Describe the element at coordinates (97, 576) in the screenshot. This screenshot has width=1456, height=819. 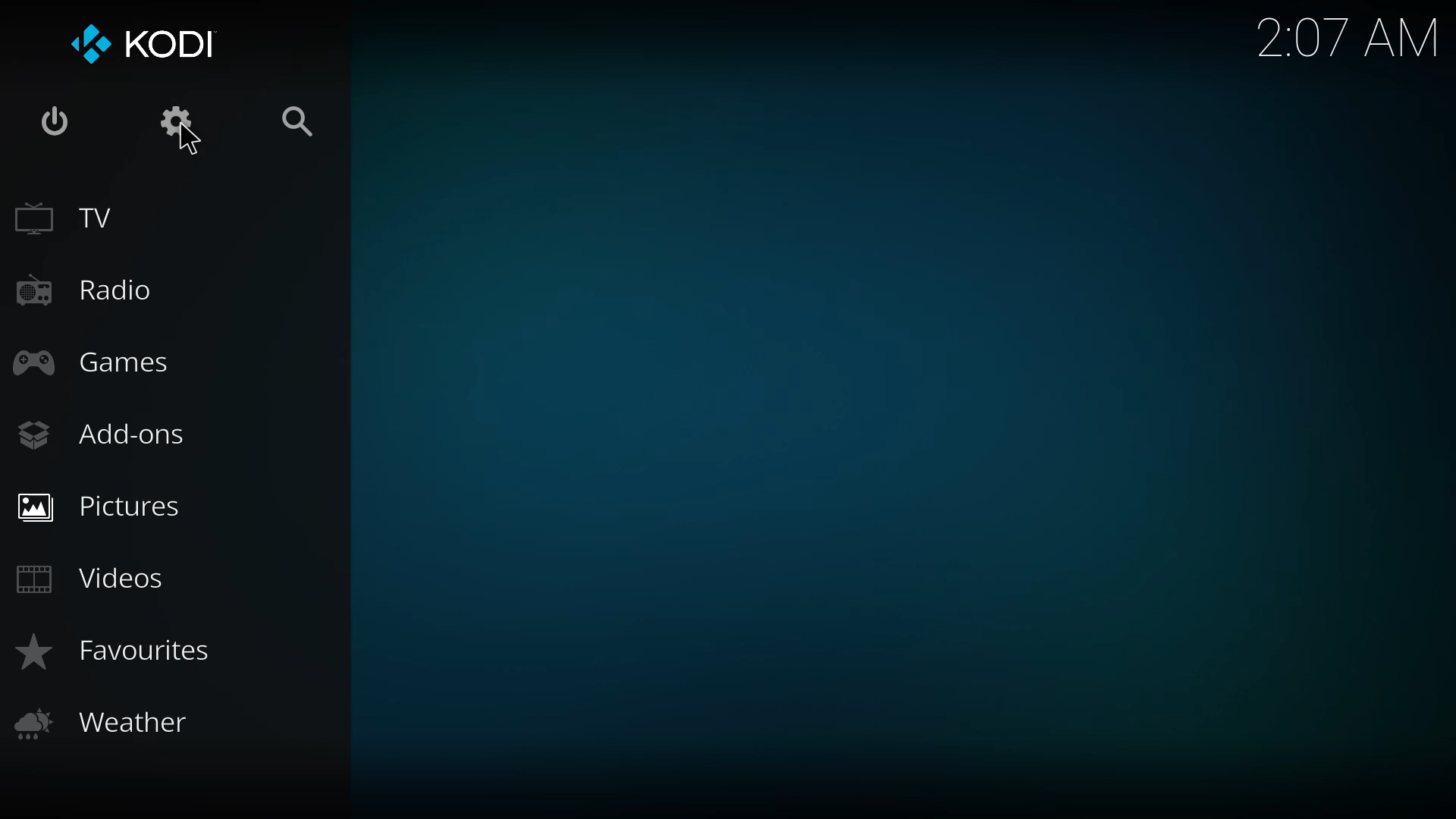
I see `videos` at that location.